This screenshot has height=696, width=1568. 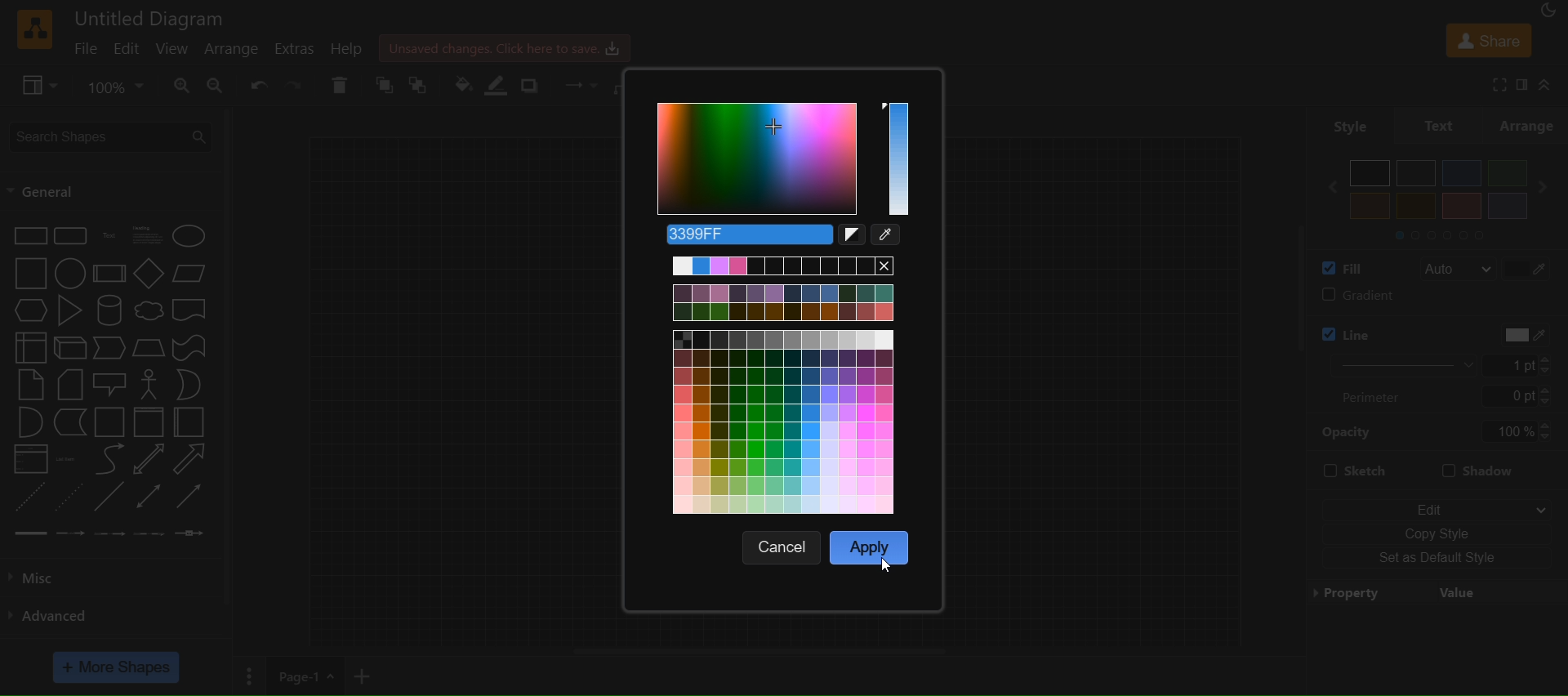 What do you see at coordinates (29, 424) in the screenshot?
I see `and` at bounding box center [29, 424].